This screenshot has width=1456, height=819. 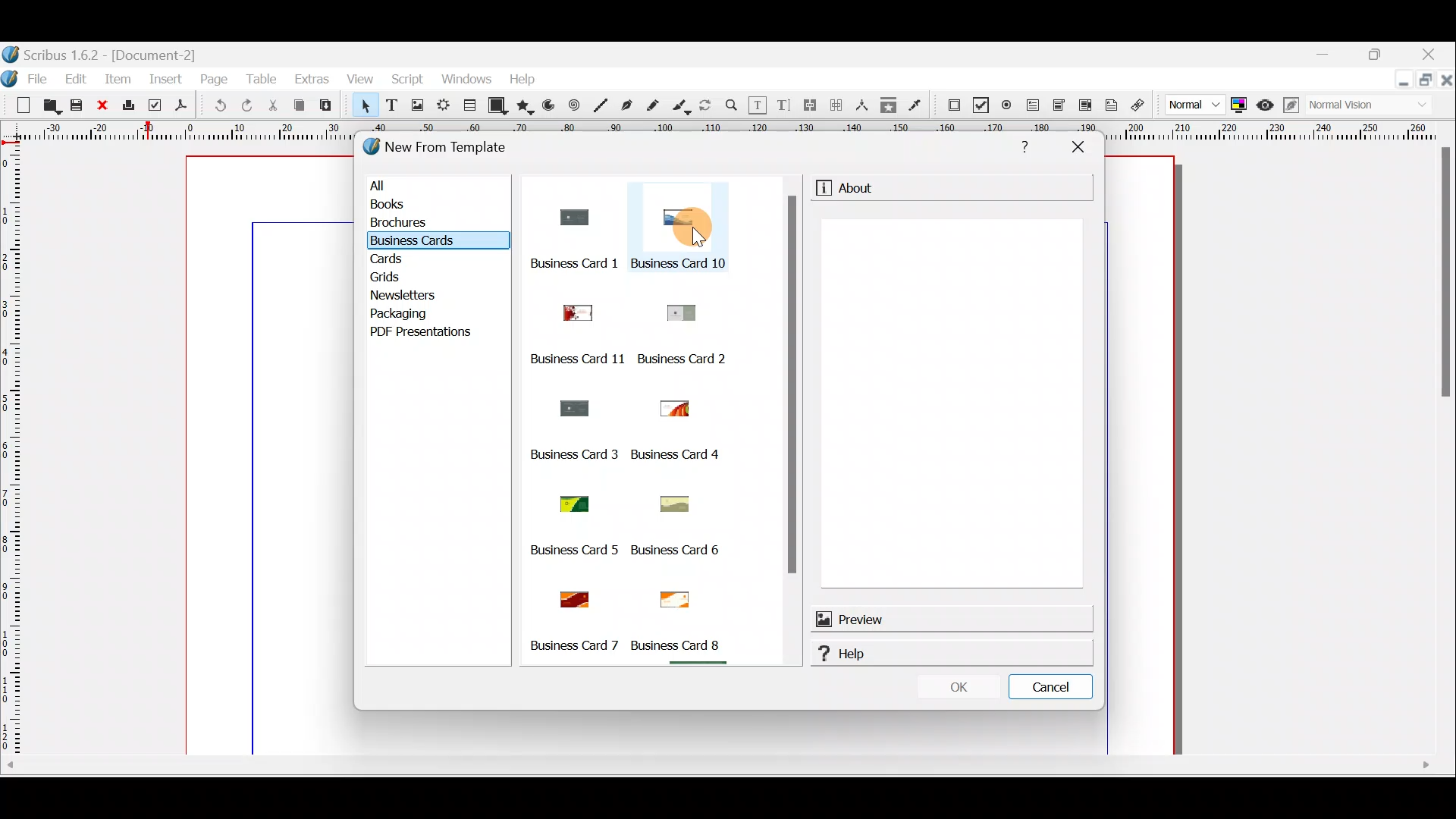 I want to click on Page, so click(x=213, y=78).